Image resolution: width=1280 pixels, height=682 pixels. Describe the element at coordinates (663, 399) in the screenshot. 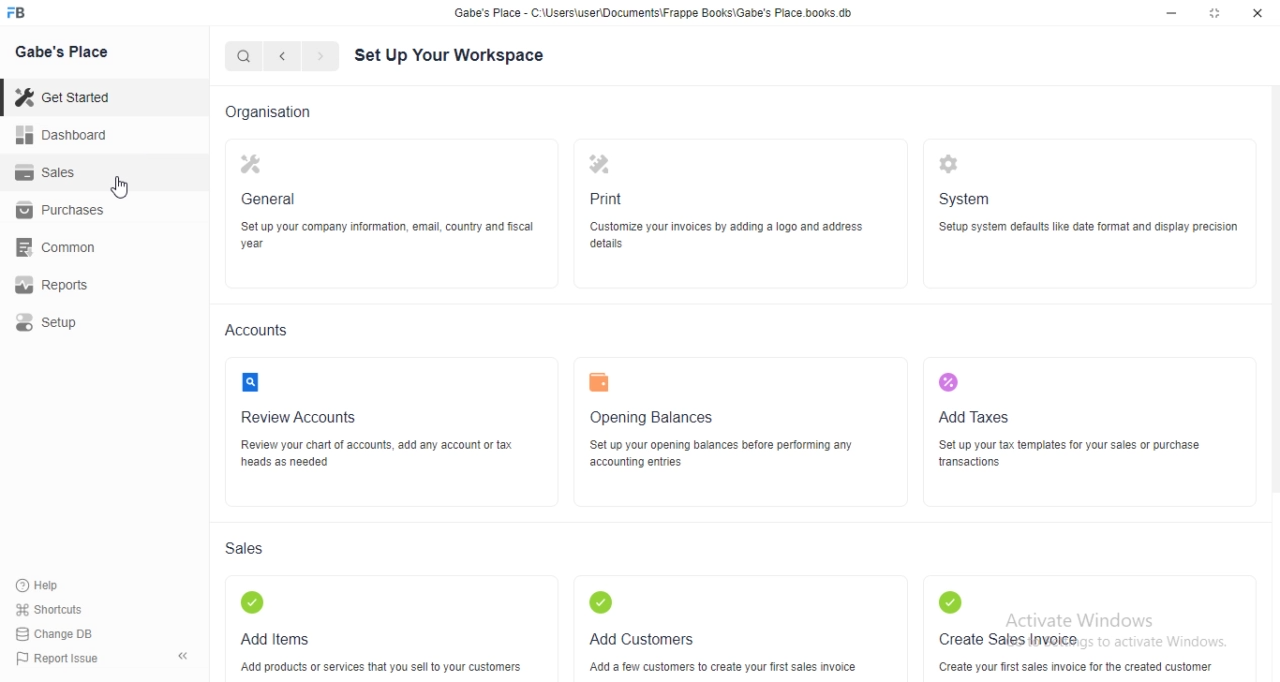

I see `w
Opening Balances` at that location.